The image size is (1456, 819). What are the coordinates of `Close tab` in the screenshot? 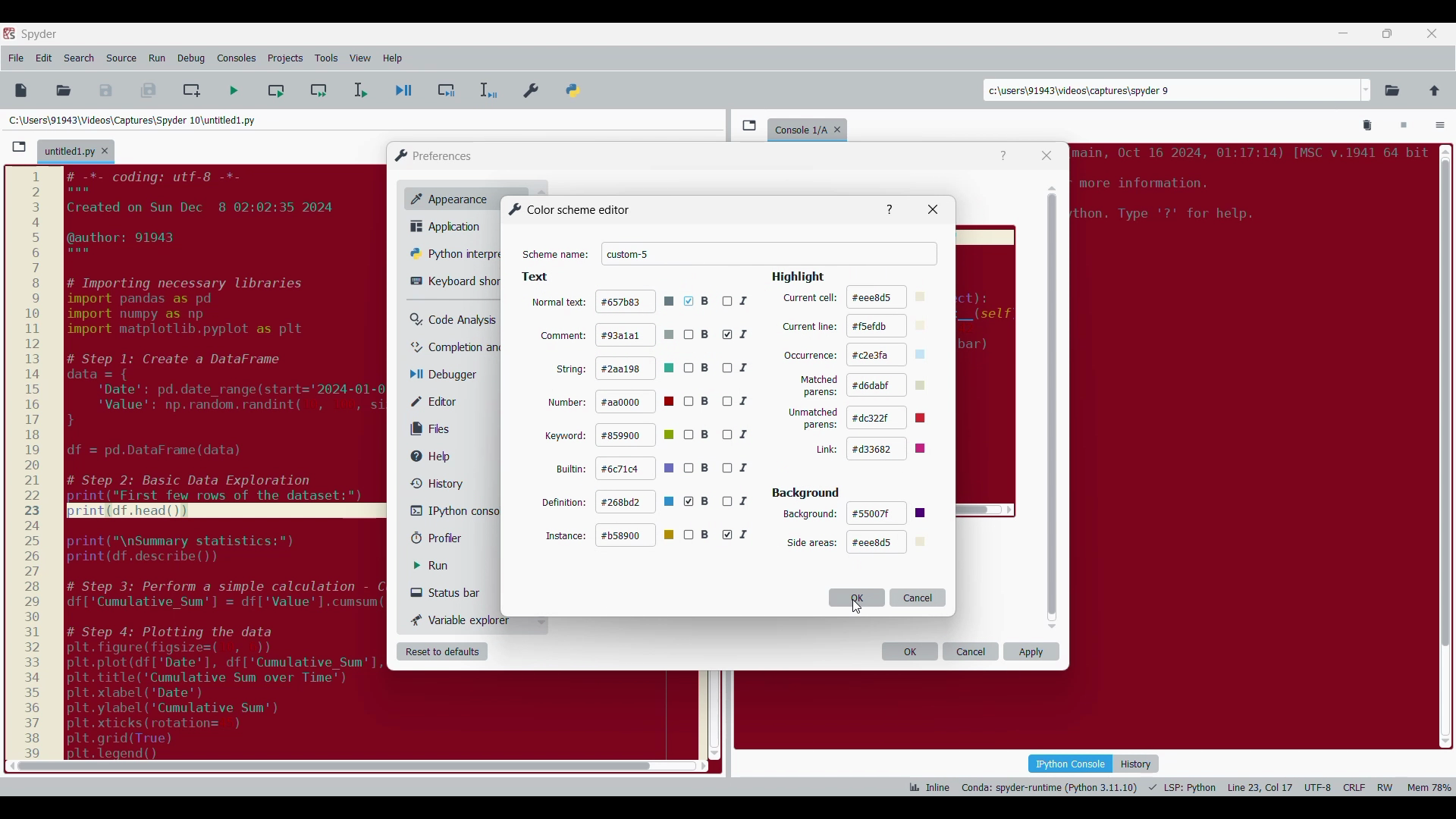 It's located at (841, 127).